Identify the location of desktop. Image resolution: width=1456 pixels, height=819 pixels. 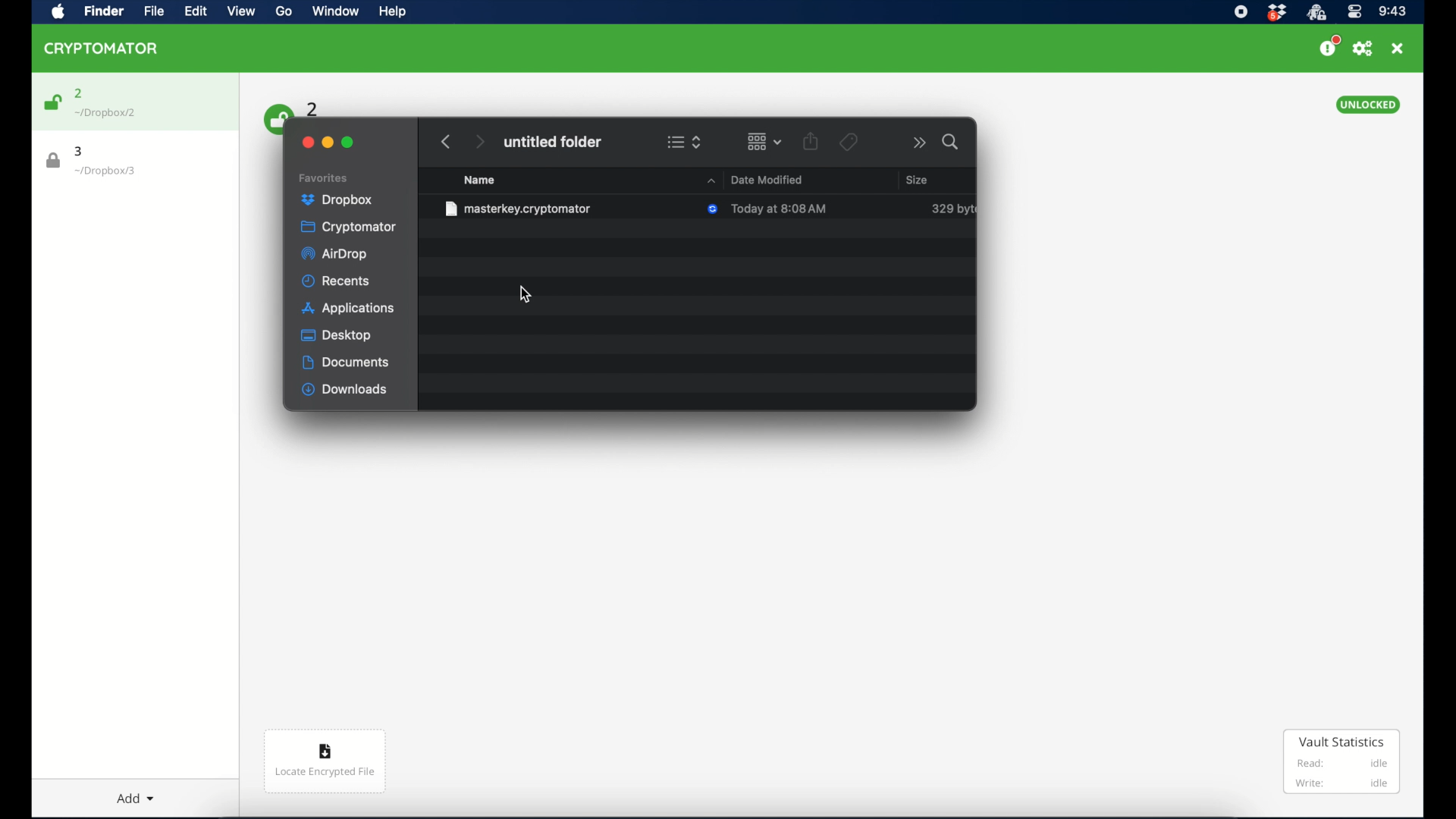
(337, 335).